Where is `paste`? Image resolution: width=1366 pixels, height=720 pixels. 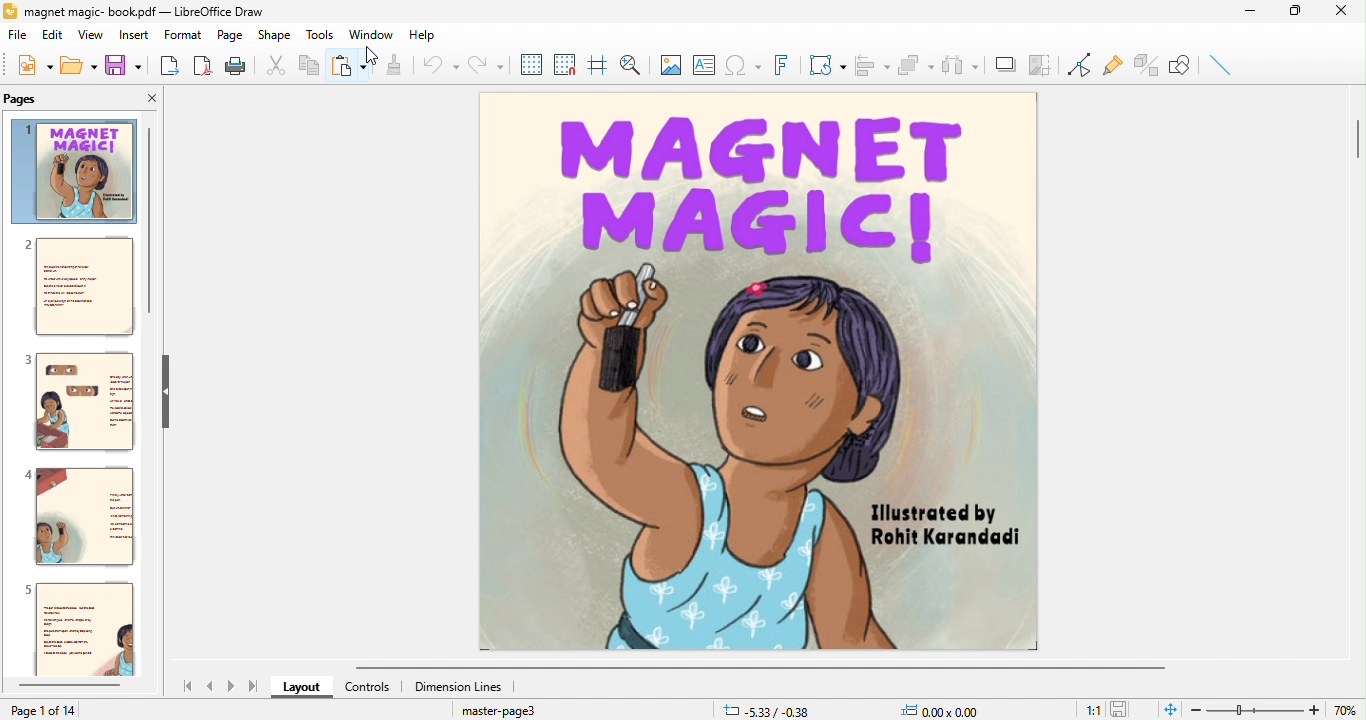
paste is located at coordinates (350, 66).